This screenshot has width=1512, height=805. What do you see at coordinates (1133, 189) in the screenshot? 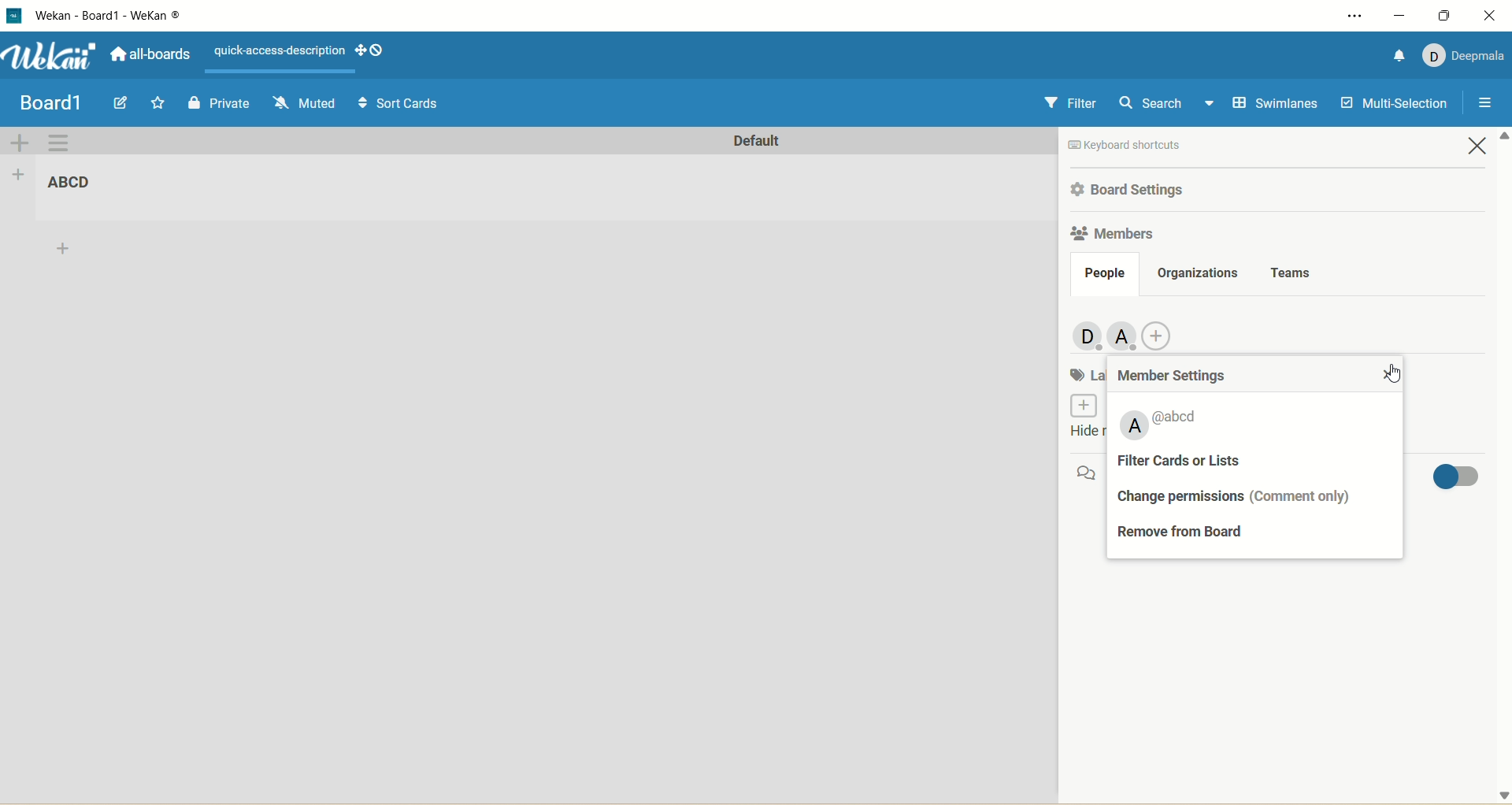
I see `board settings` at bounding box center [1133, 189].